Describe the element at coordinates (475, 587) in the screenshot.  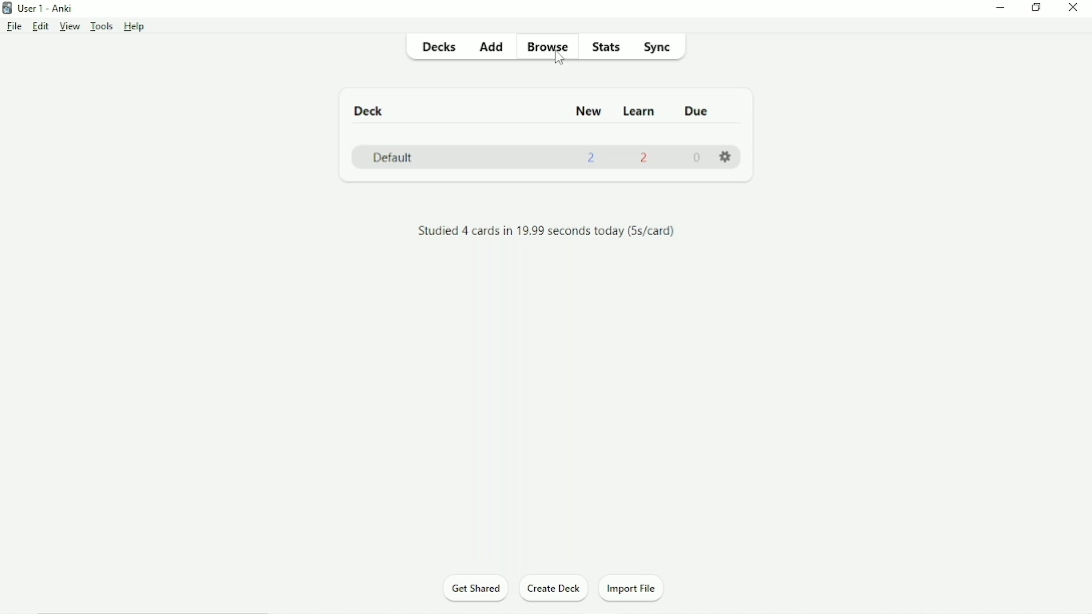
I see `Get Shared` at that location.